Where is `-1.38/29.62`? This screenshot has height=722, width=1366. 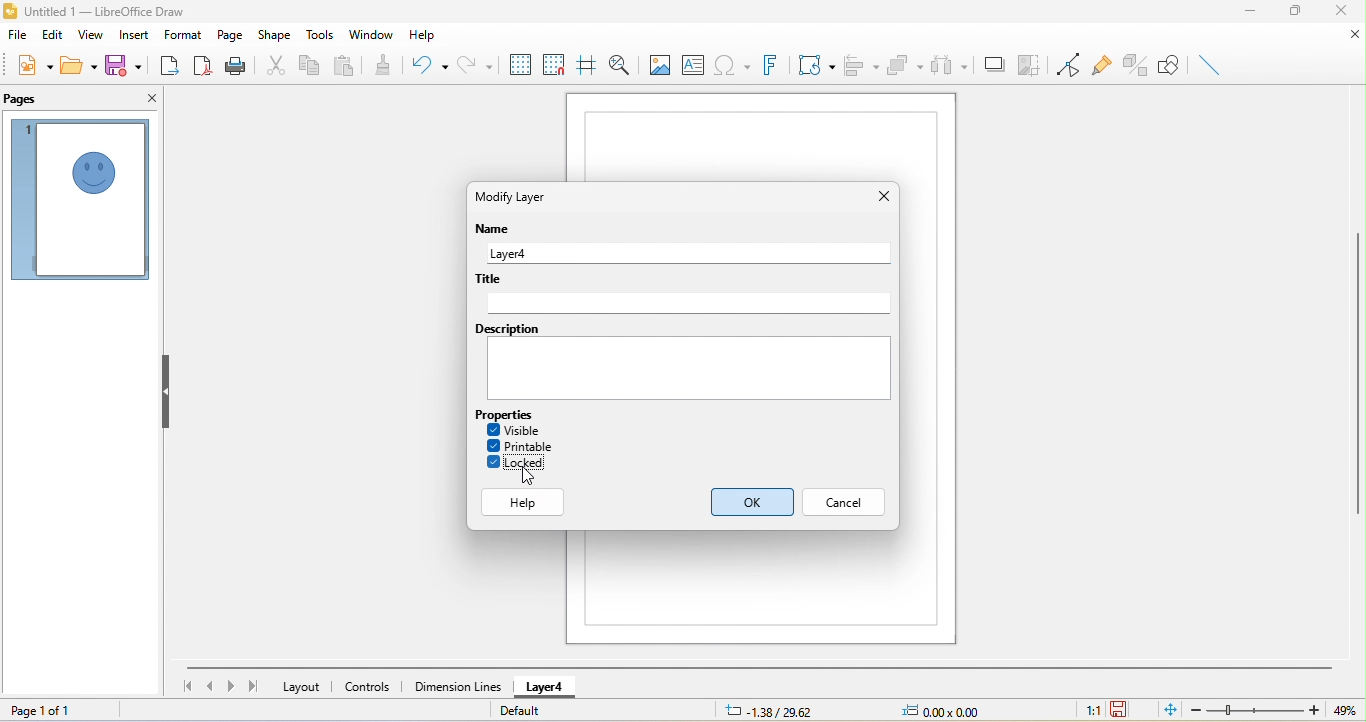 -1.38/29.62 is located at coordinates (779, 710).